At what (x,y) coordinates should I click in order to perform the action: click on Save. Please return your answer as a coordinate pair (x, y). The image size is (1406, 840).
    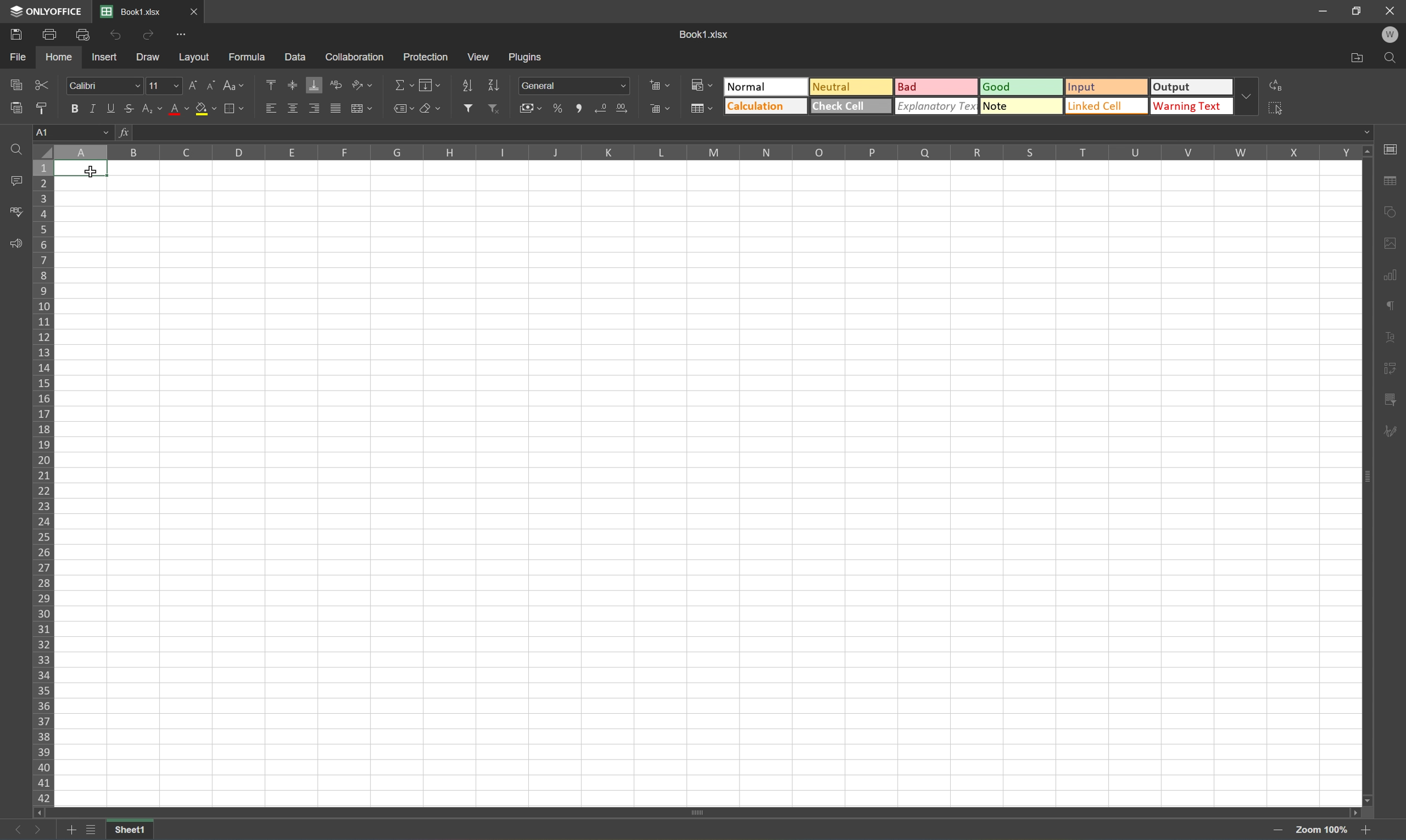
    Looking at the image, I should click on (13, 36).